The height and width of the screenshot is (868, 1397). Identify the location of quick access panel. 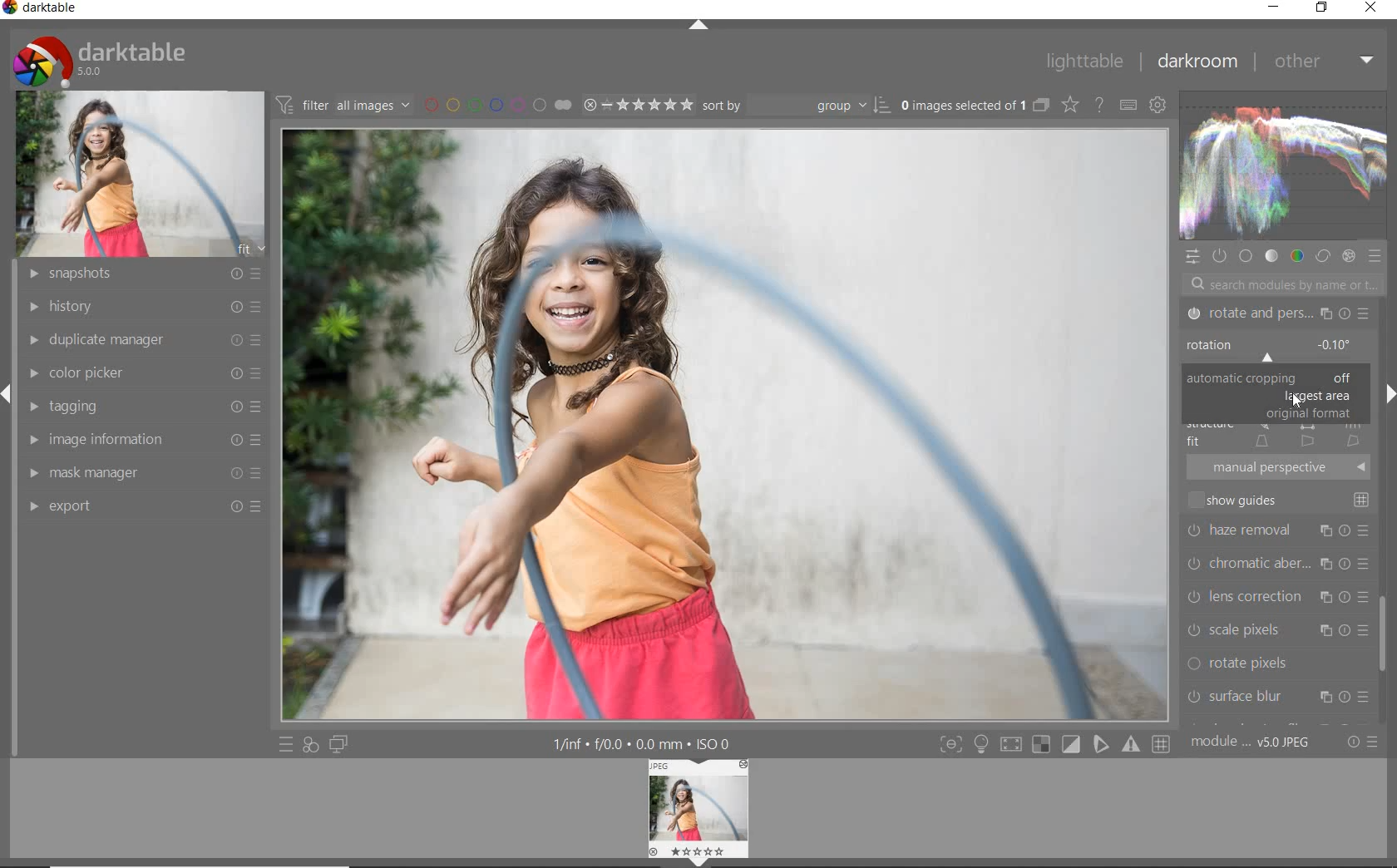
(1190, 259).